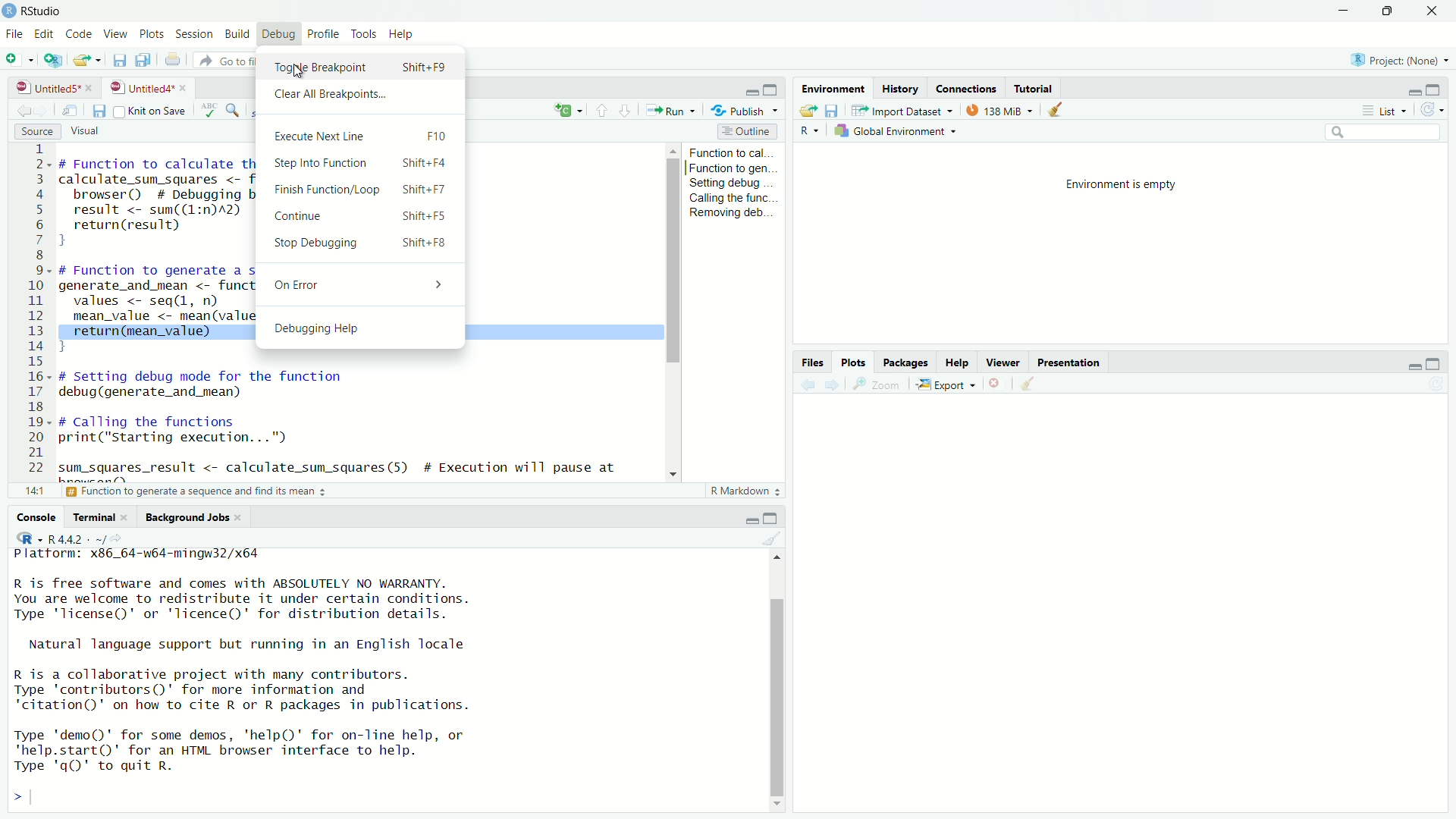 The image size is (1456, 819). What do you see at coordinates (364, 162) in the screenshot?
I see `Step Into Function` at bounding box center [364, 162].